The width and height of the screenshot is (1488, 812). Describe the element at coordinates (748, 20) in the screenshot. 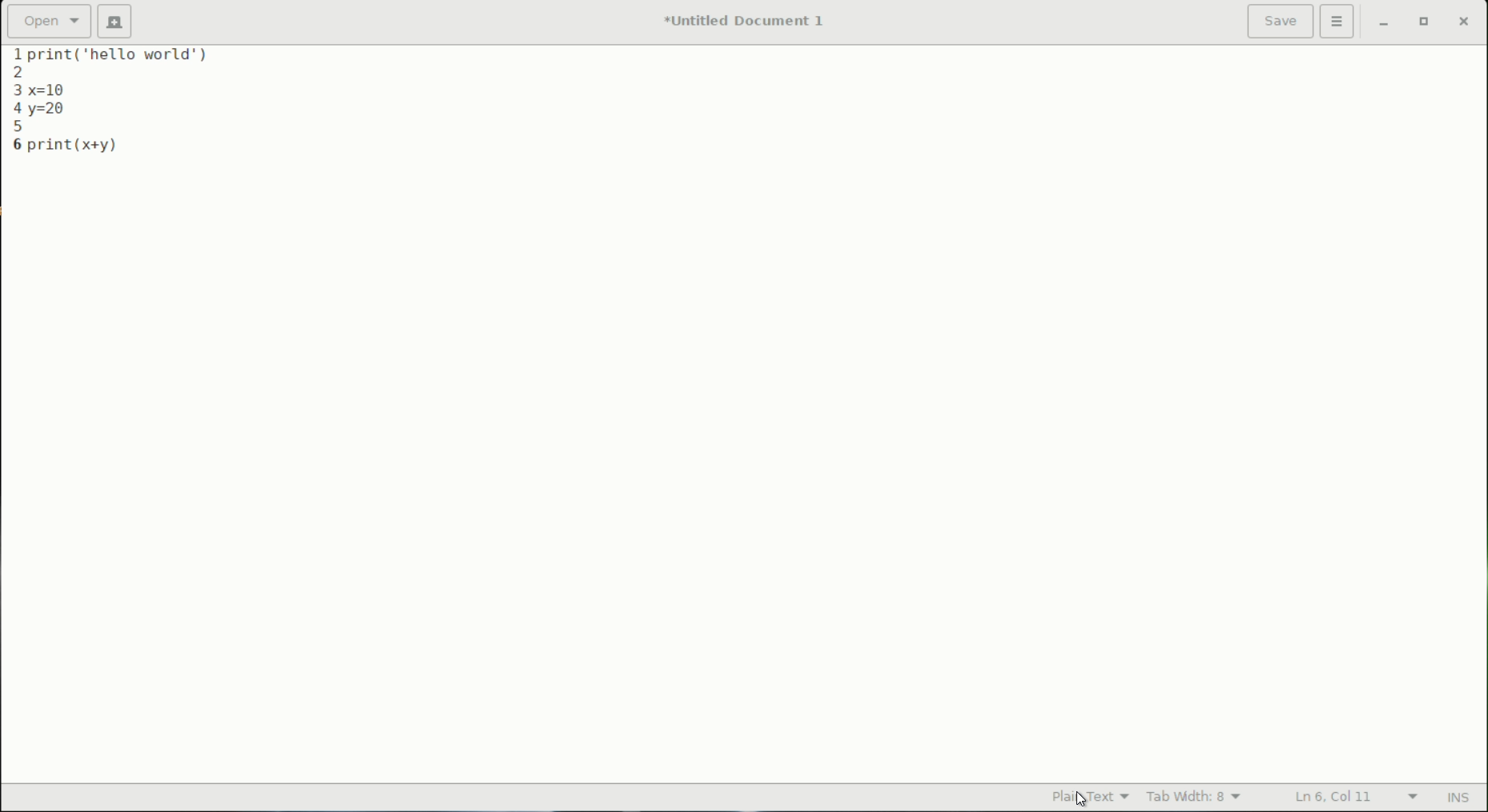

I see `file name` at that location.